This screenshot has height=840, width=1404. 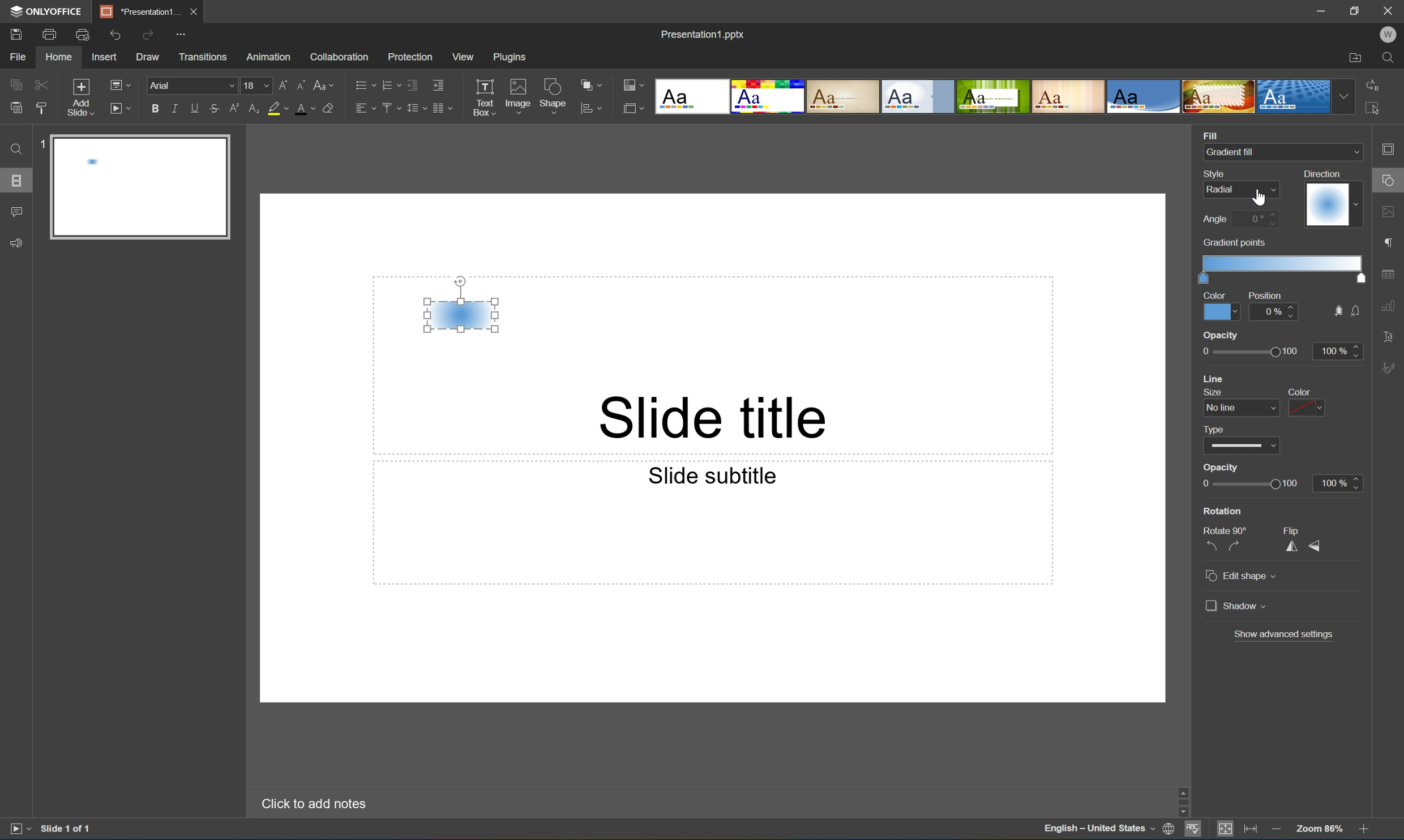 I want to click on Type of slides, so click(x=992, y=97).